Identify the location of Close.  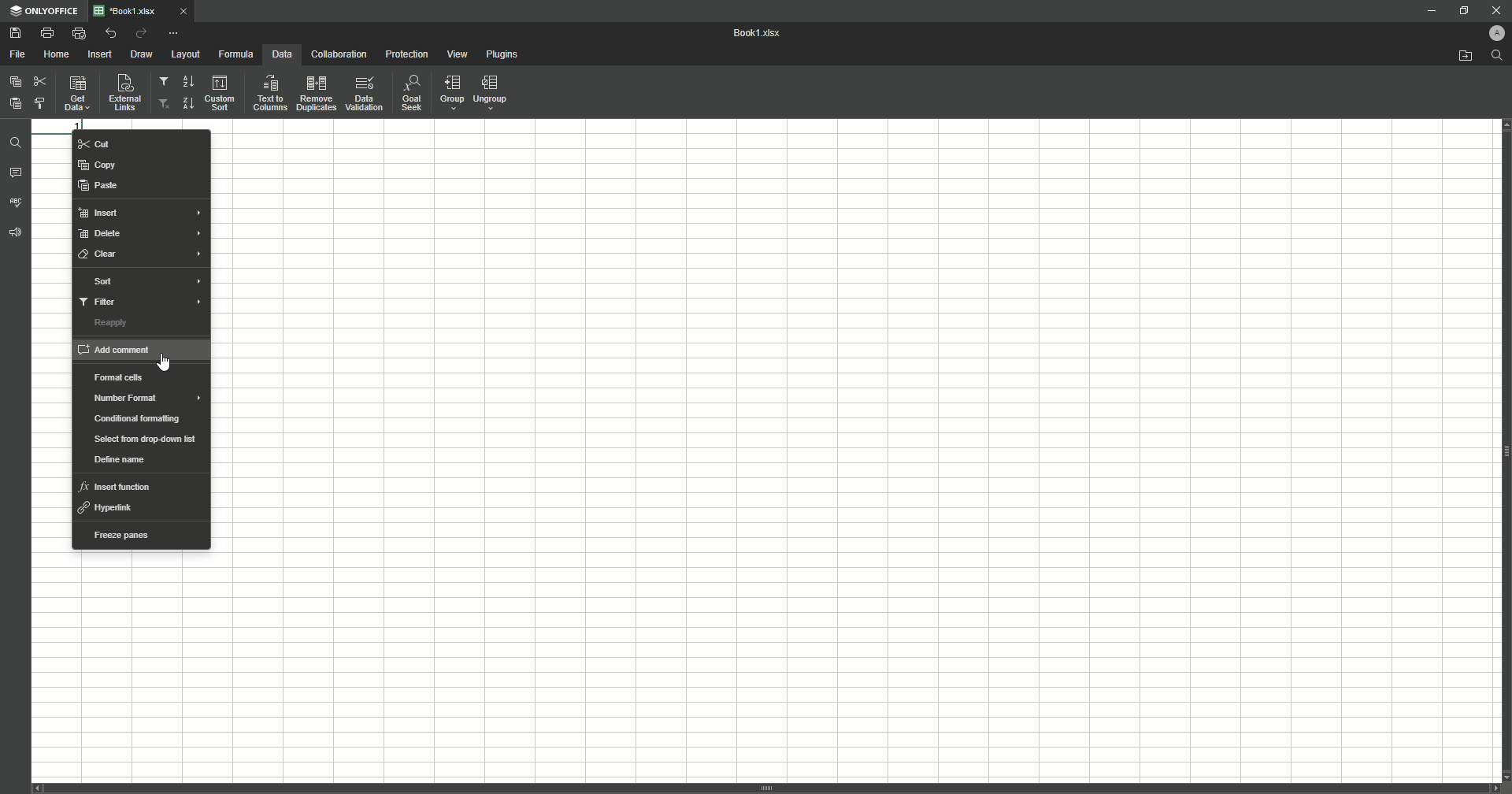
(1491, 9).